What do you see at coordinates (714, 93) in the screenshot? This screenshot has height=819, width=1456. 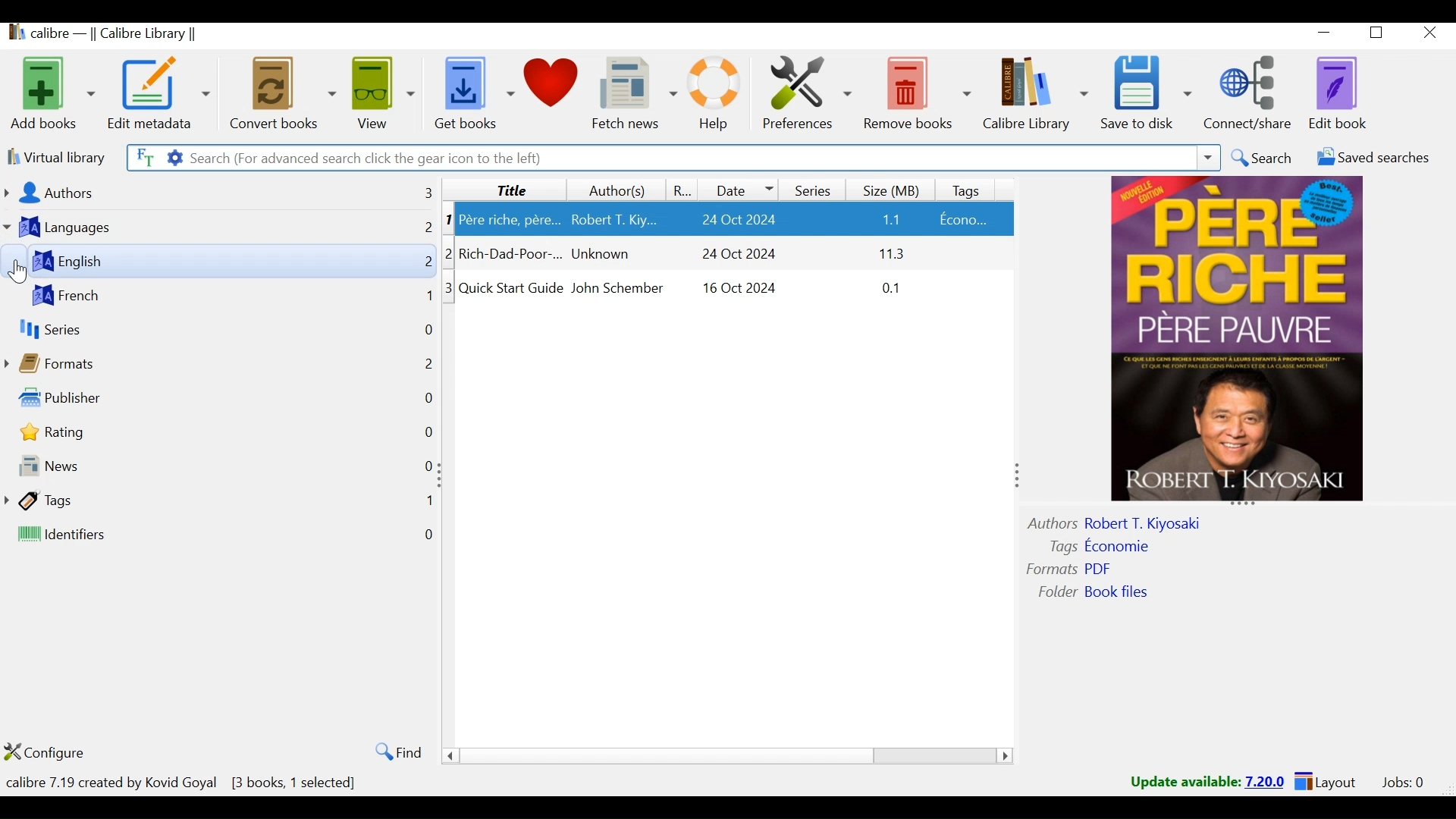 I see `Help` at bounding box center [714, 93].